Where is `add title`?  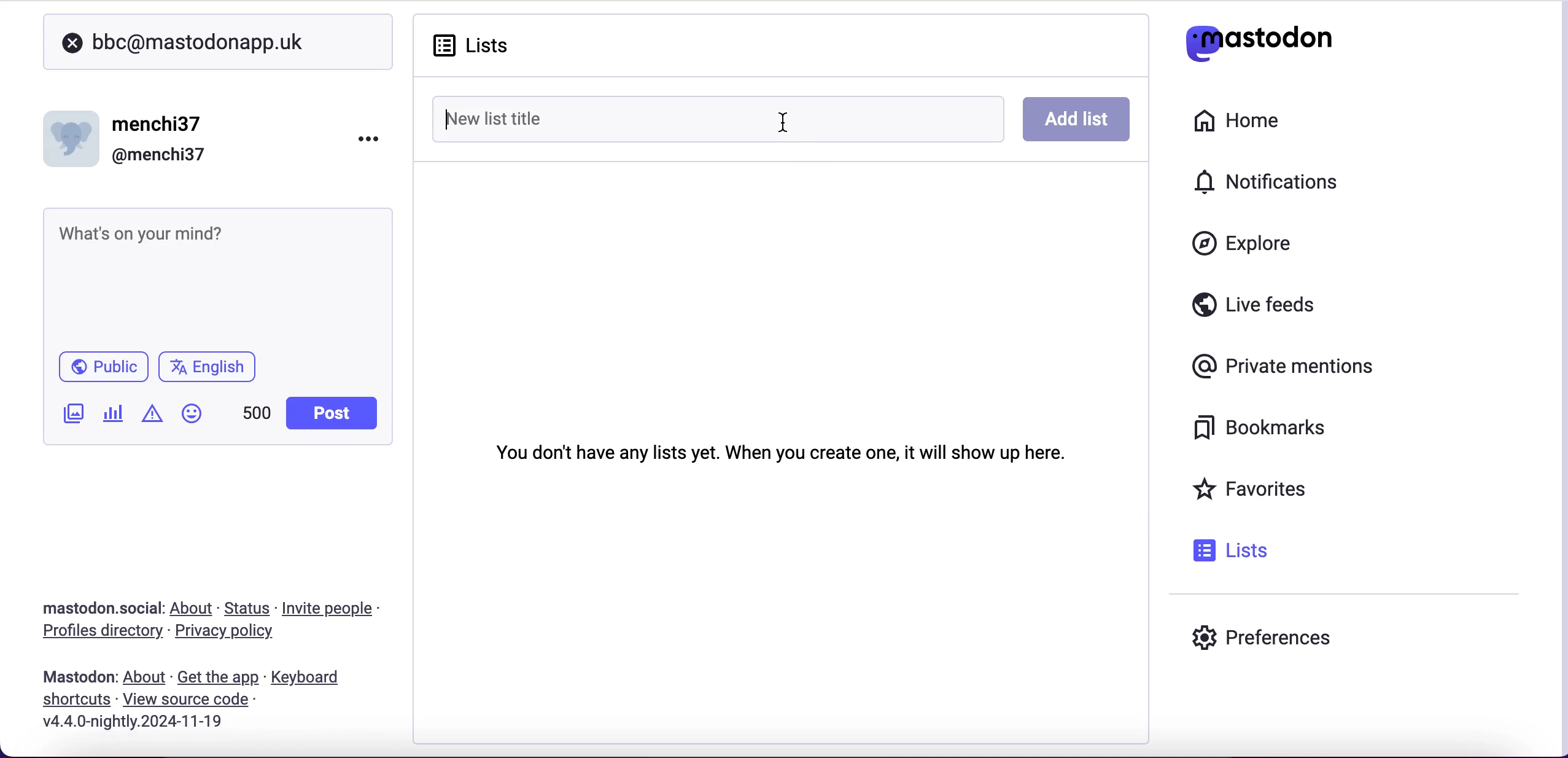 add title is located at coordinates (1078, 120).